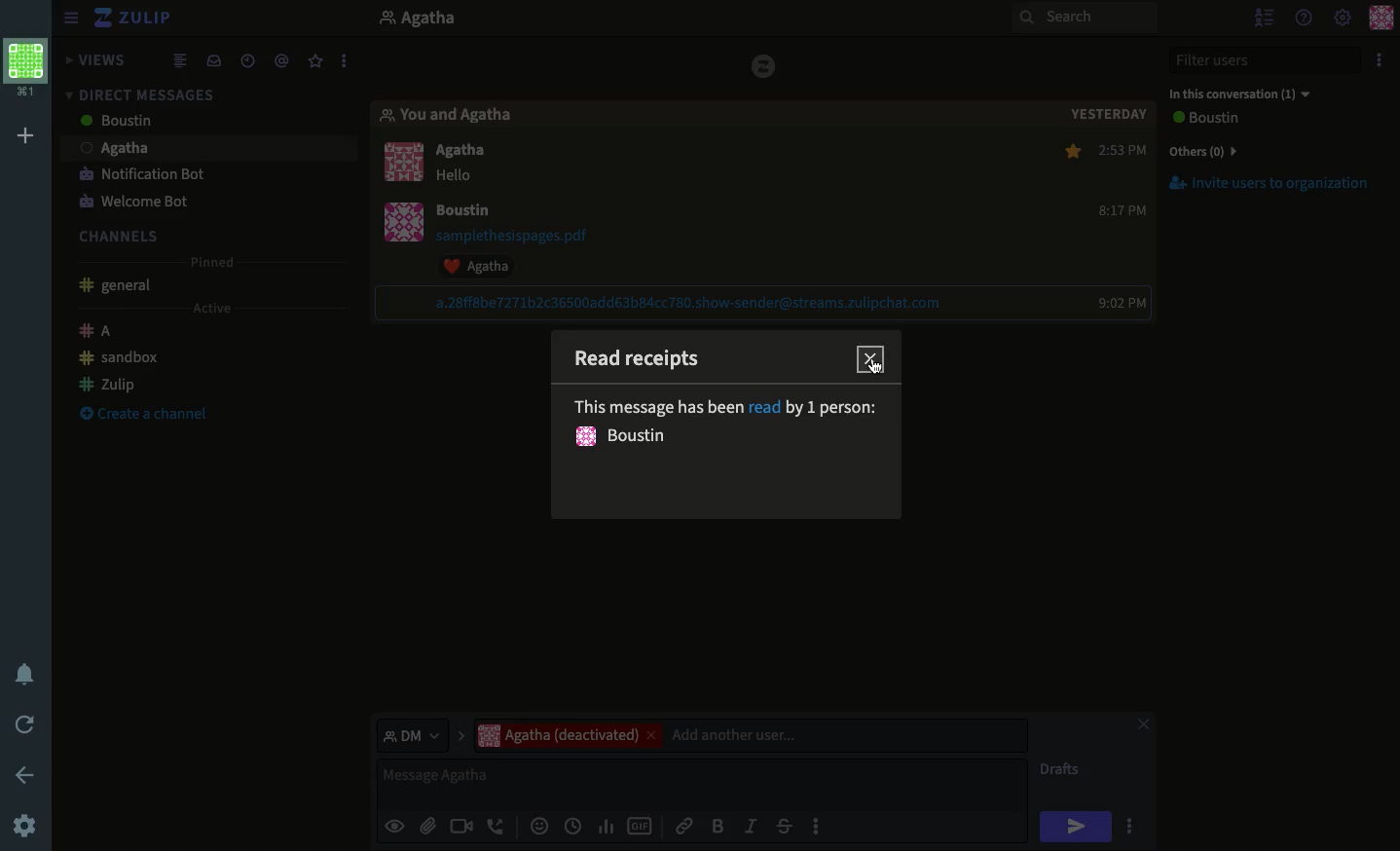  I want to click on Users, so click(468, 152).